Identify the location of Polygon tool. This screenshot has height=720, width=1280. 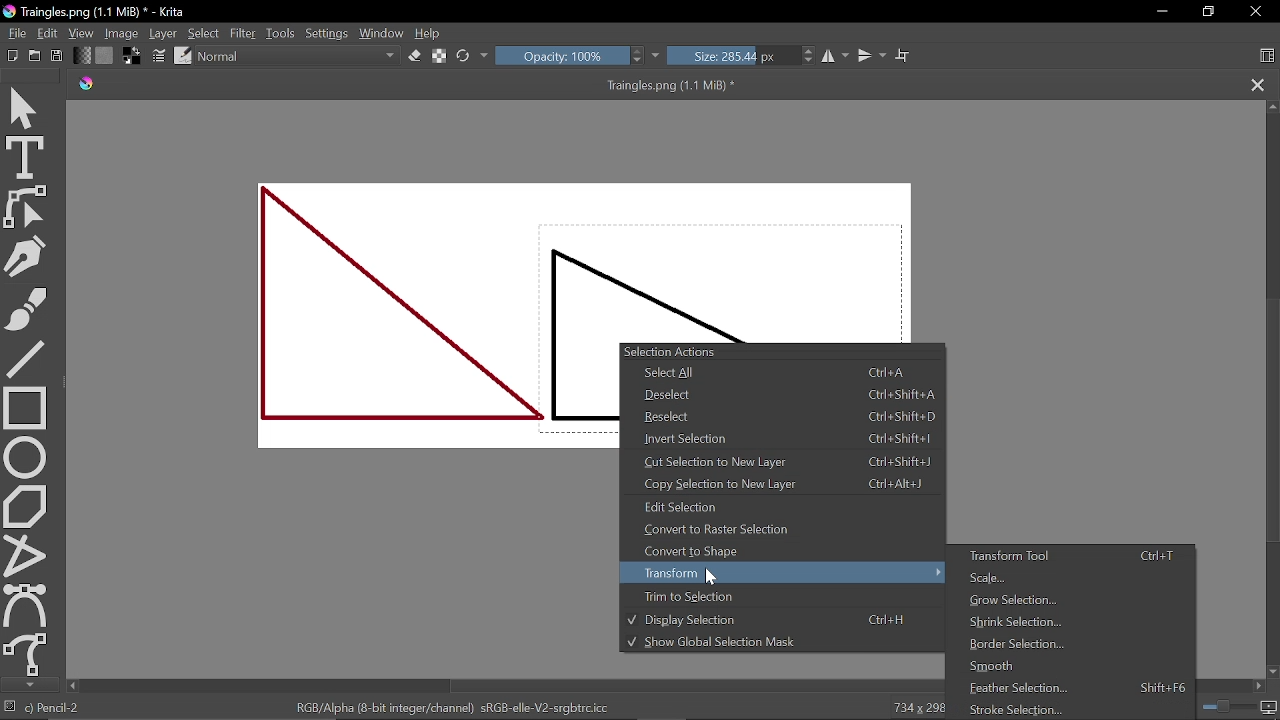
(26, 506).